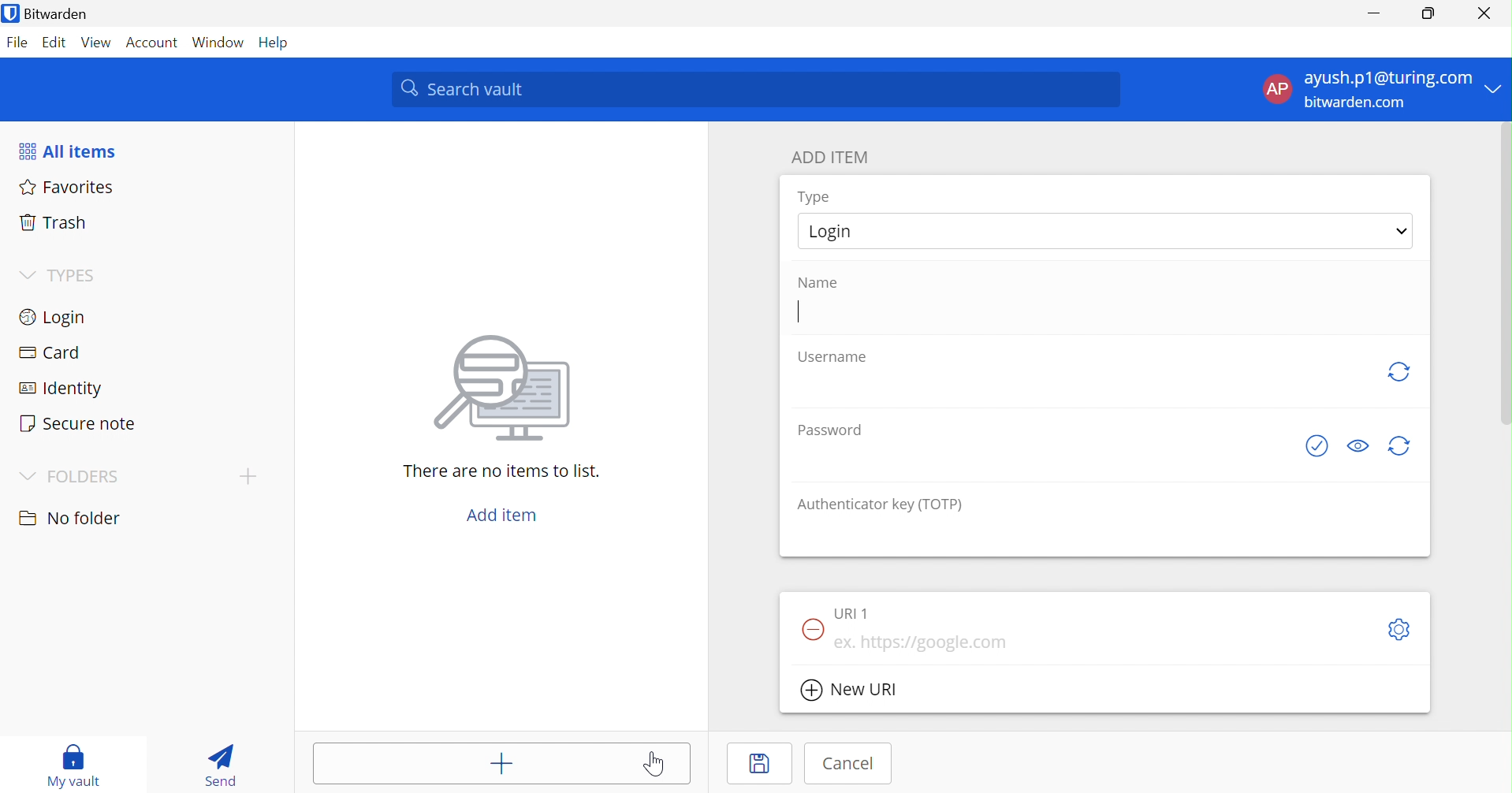 This screenshot has height=793, width=1512. What do you see at coordinates (1495, 87) in the screenshot?
I see `Drop down` at bounding box center [1495, 87].